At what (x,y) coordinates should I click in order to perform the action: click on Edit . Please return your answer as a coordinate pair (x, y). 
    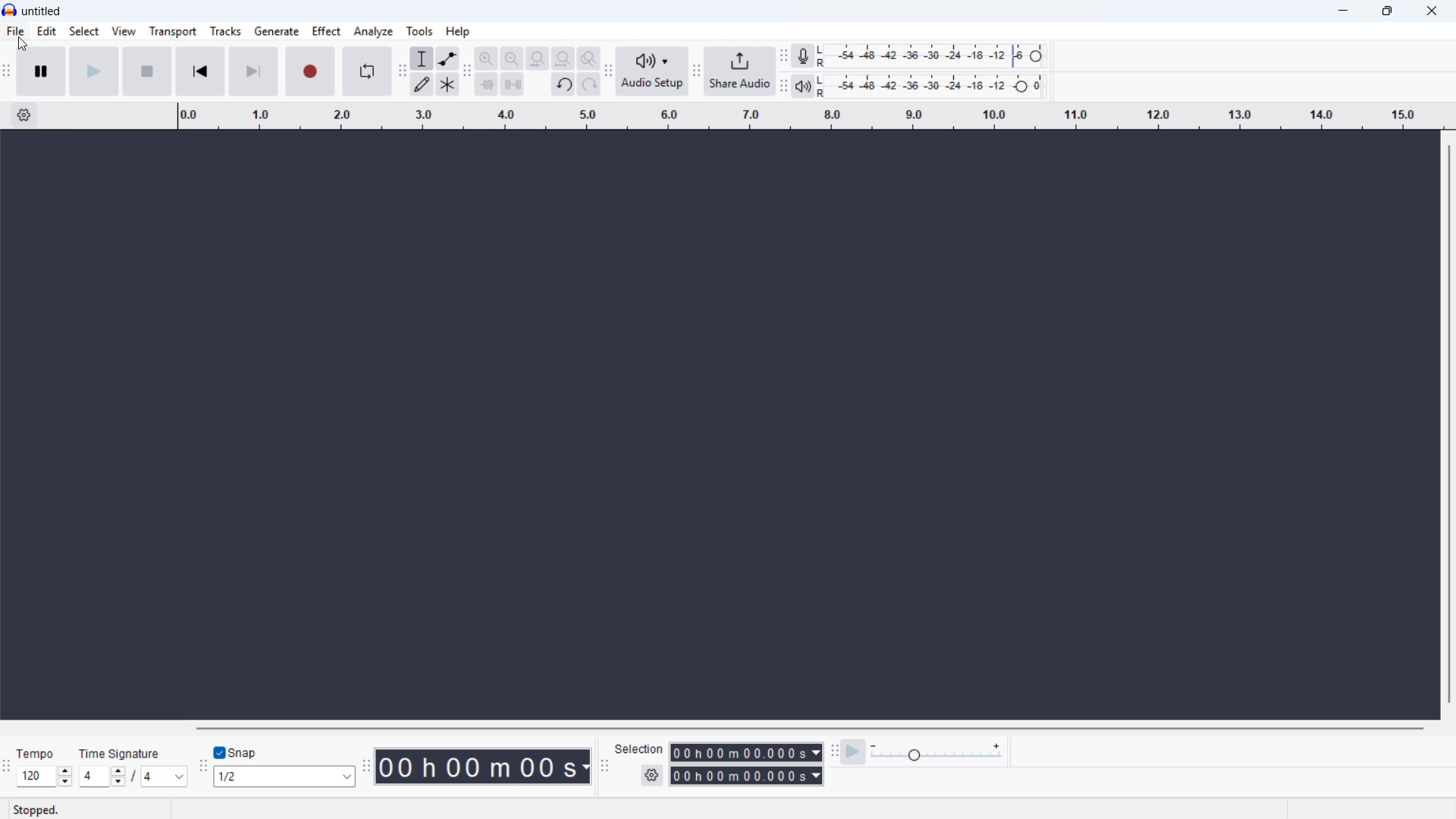
    Looking at the image, I should click on (46, 32).